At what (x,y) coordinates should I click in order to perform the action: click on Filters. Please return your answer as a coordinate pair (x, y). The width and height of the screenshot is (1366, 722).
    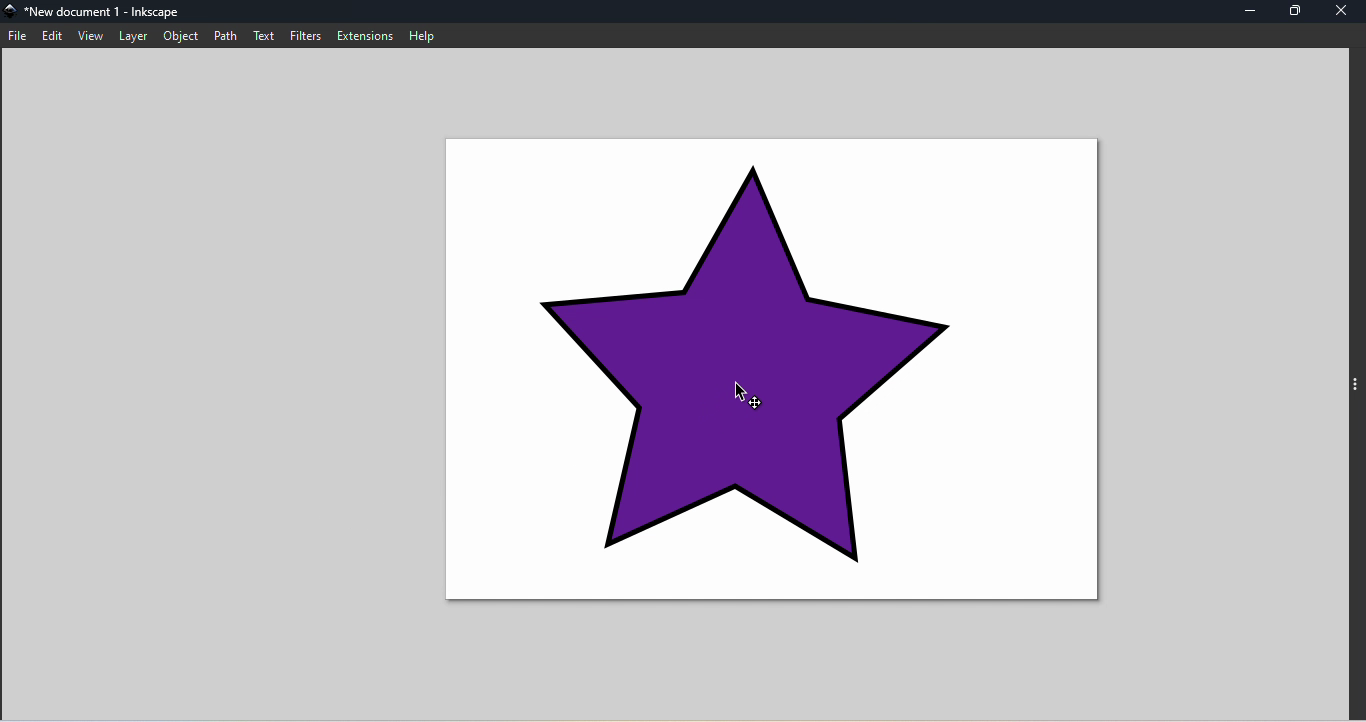
    Looking at the image, I should click on (307, 38).